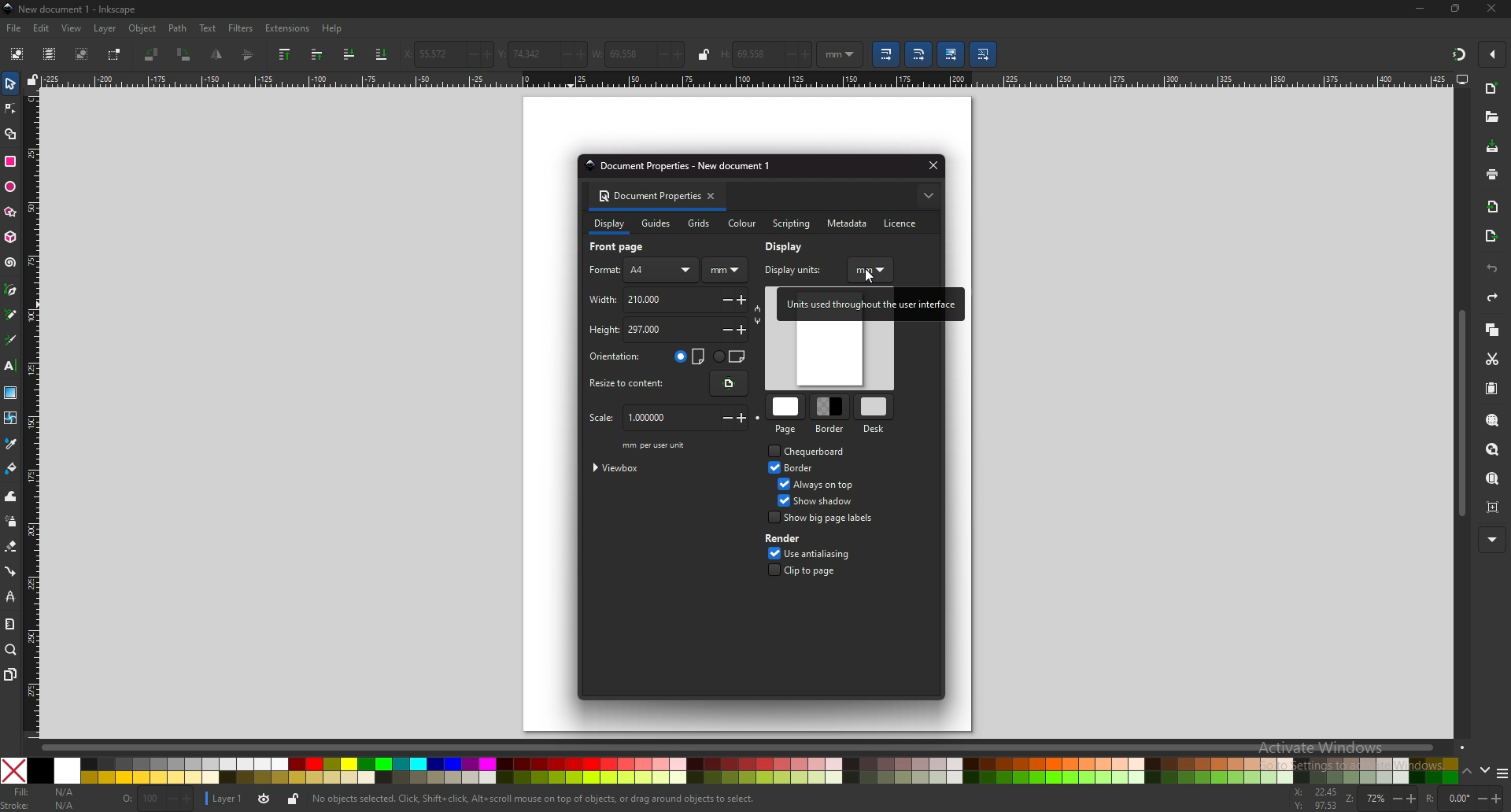 The height and width of the screenshot is (812, 1511). Describe the element at coordinates (10, 315) in the screenshot. I see `pencil` at that location.